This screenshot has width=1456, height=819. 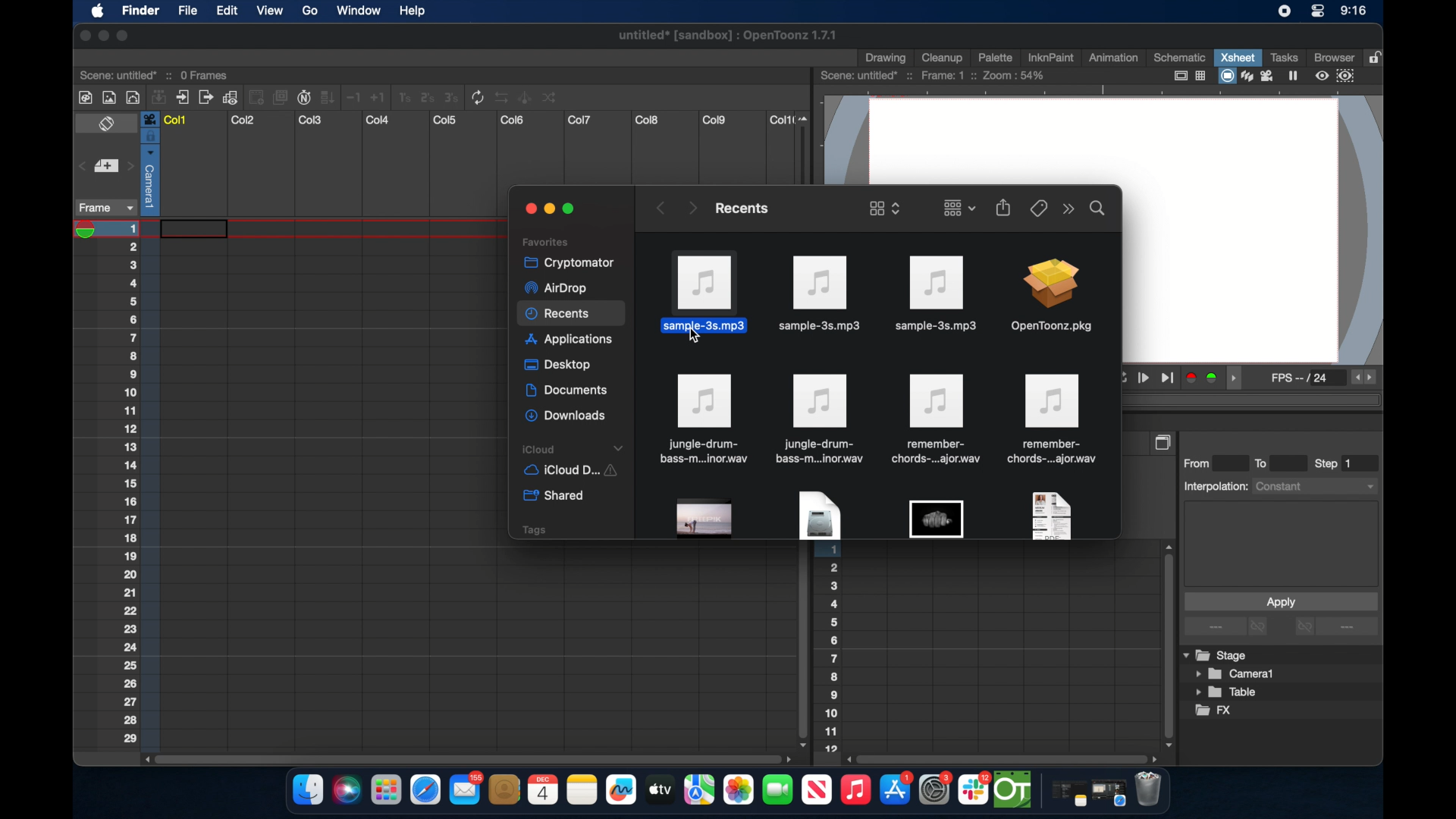 I want to click on more  options, so click(x=1228, y=627).